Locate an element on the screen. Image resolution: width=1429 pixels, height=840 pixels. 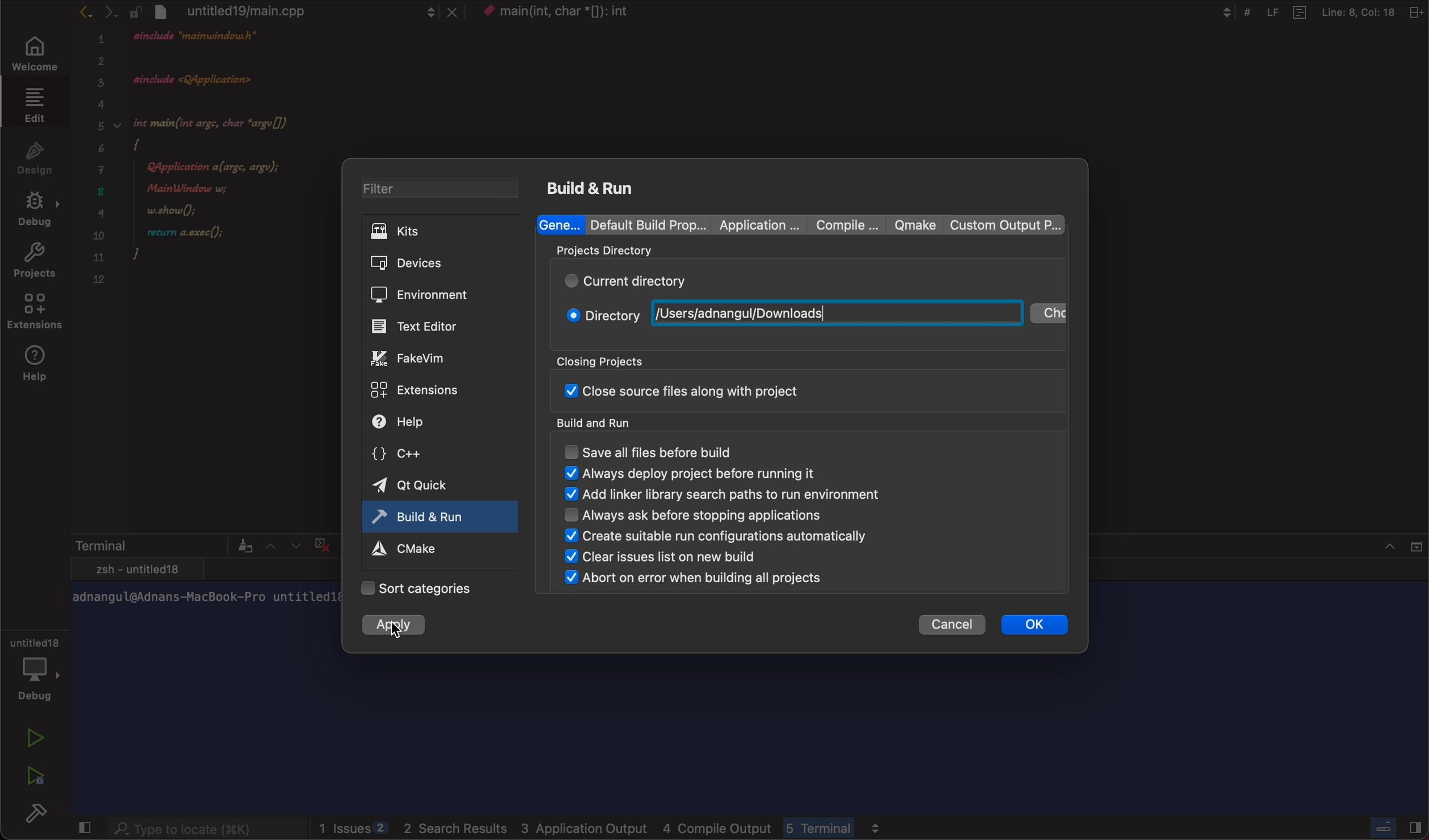
environment is located at coordinates (430, 292).